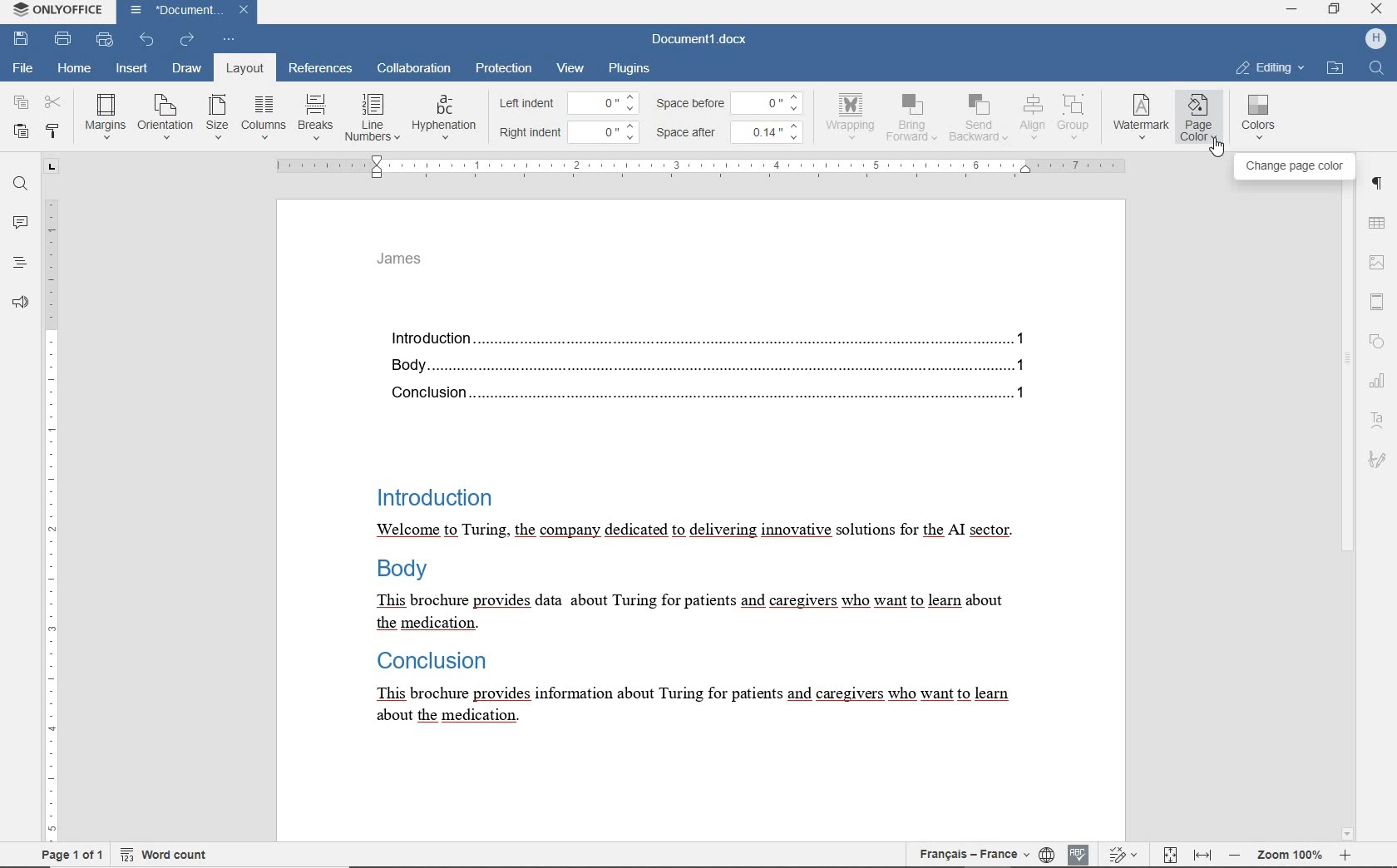 The width and height of the screenshot is (1397, 868). I want to click on page color, so click(1201, 119).